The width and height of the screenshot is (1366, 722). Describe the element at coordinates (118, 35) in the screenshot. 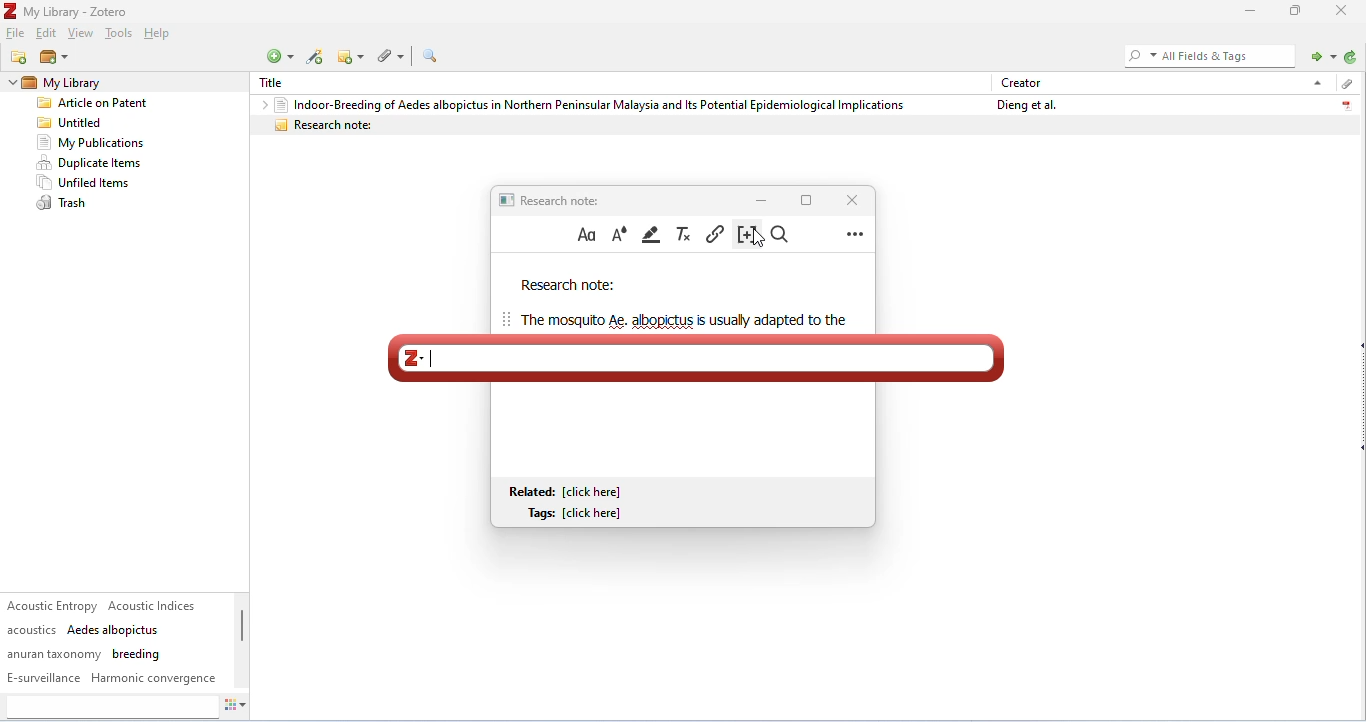

I see `tools` at that location.